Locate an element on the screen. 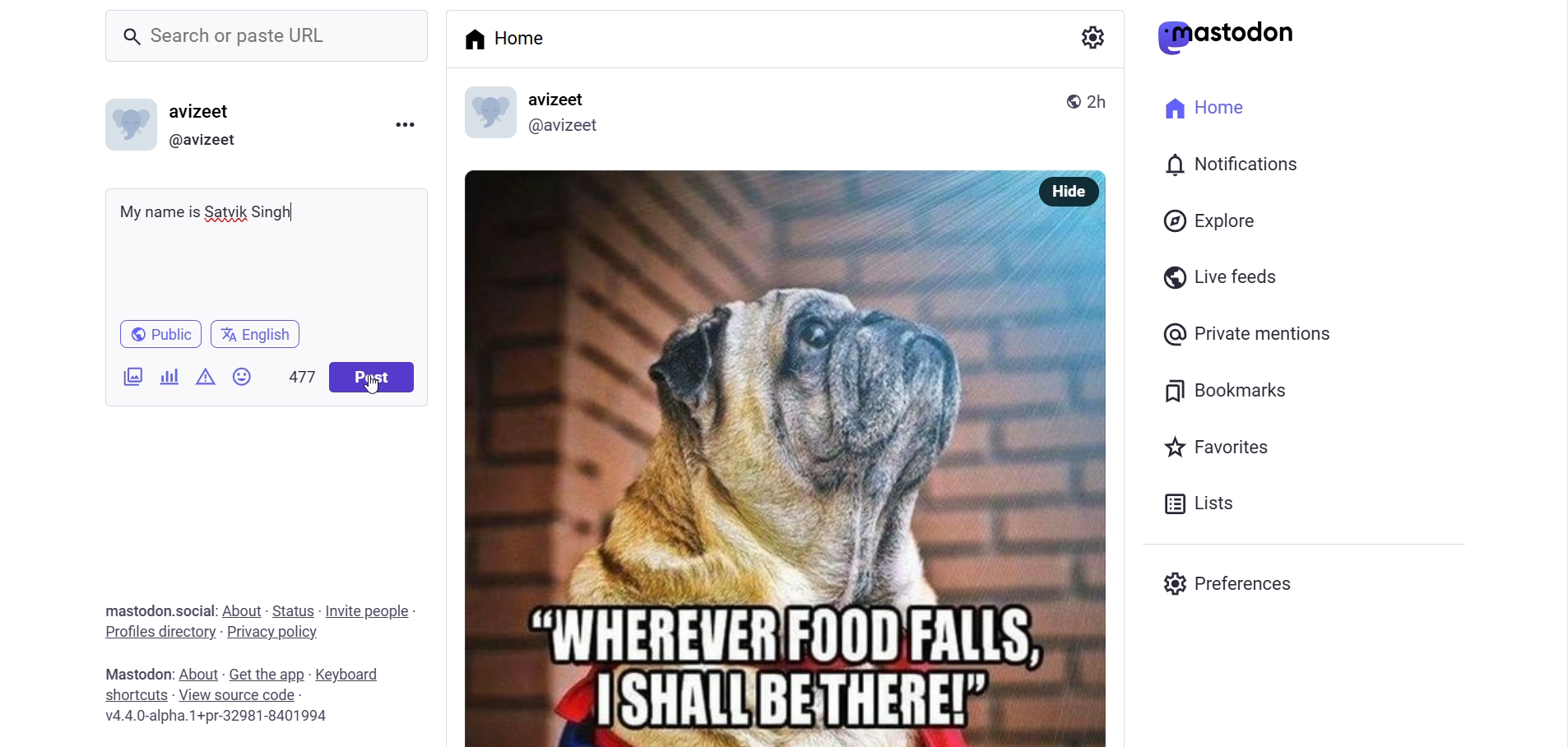 This screenshot has height=747, width=1568. @astodon is located at coordinates (1236, 42).